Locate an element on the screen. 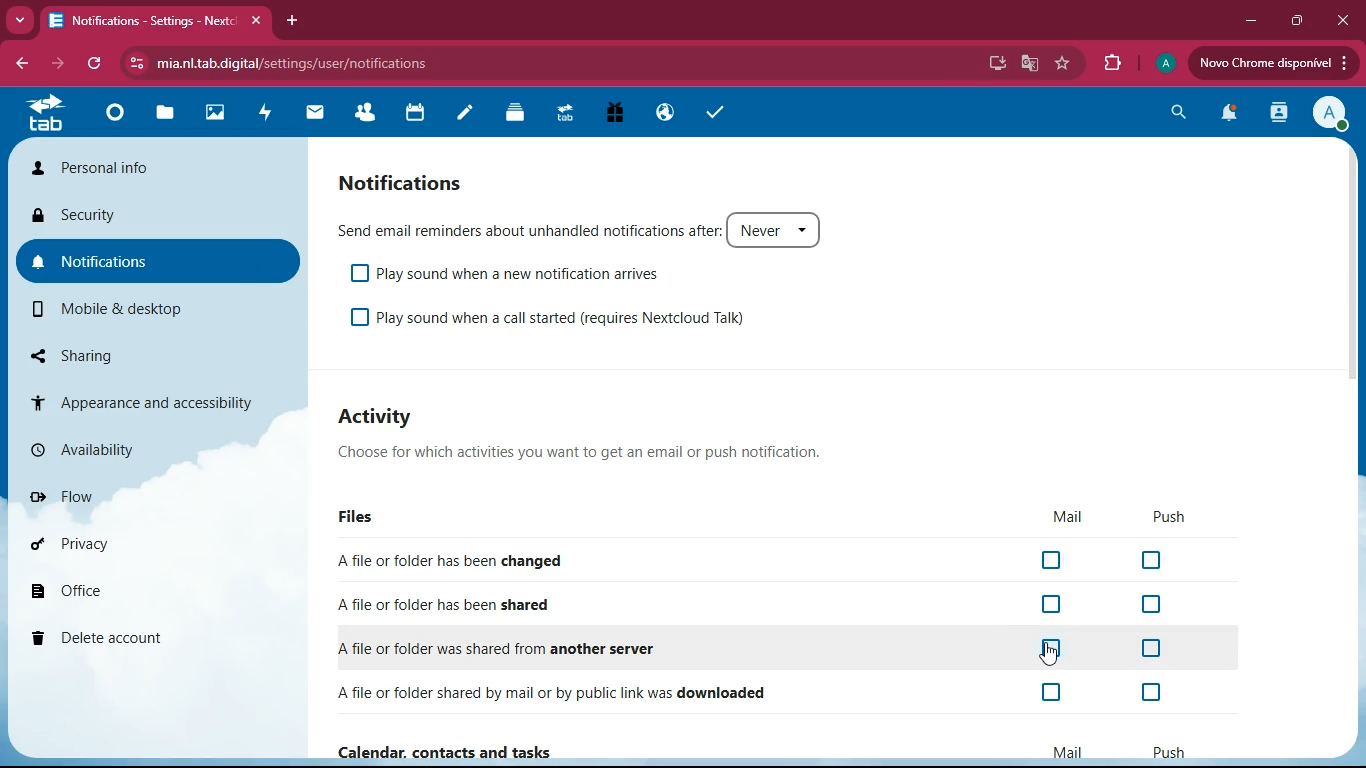 The image size is (1366, 768). calendar is located at coordinates (409, 115).